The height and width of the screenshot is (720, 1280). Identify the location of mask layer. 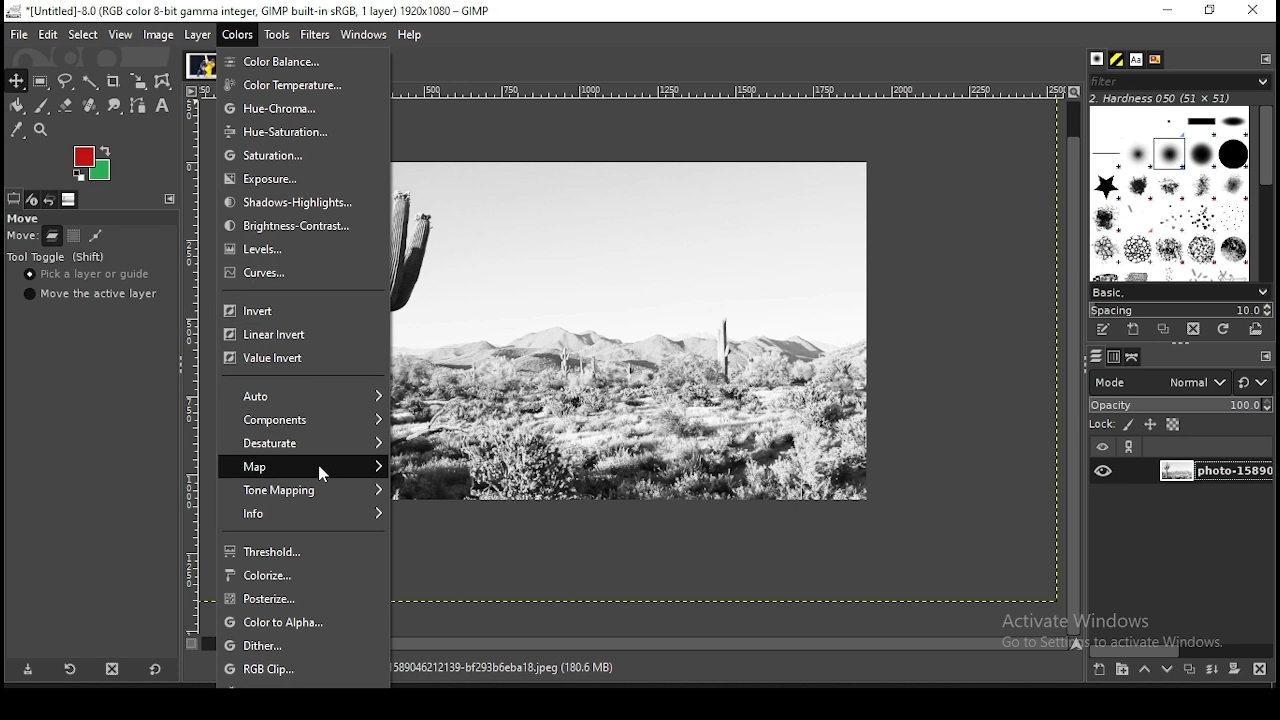
(1234, 670).